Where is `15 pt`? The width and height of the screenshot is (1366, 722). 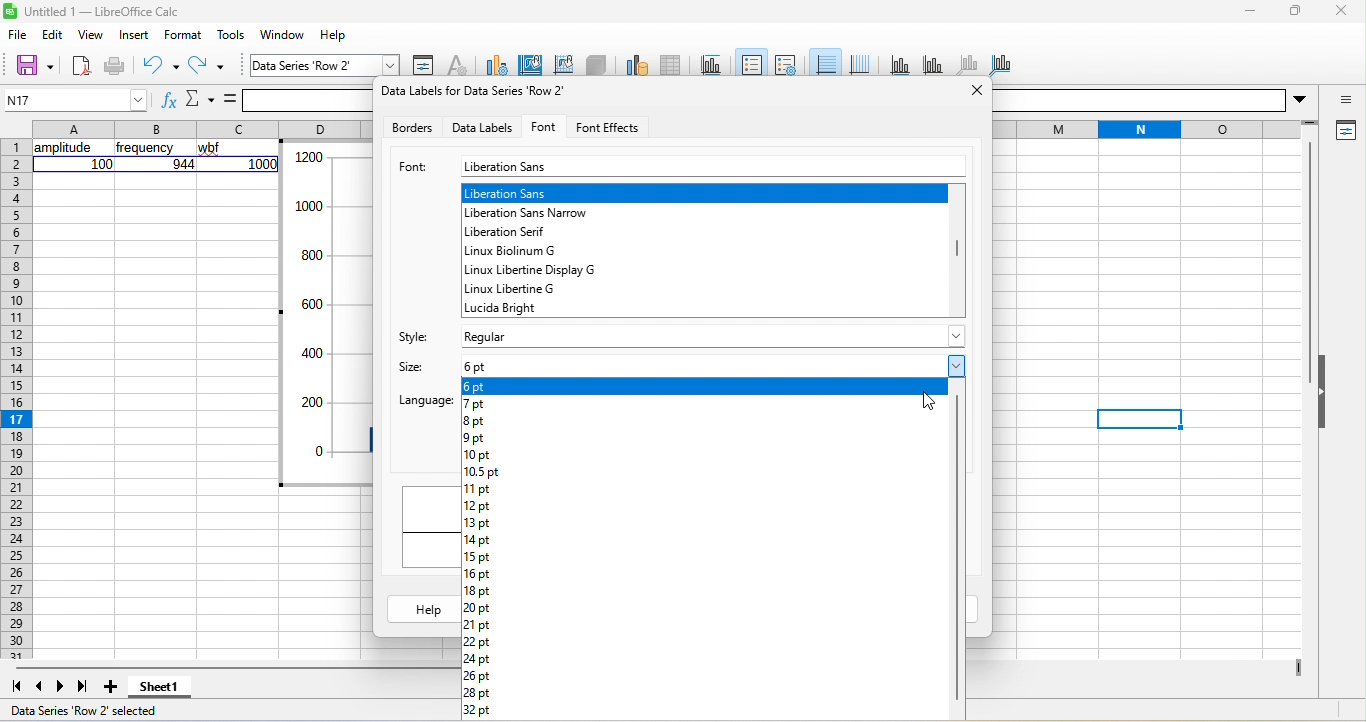 15 pt is located at coordinates (476, 558).